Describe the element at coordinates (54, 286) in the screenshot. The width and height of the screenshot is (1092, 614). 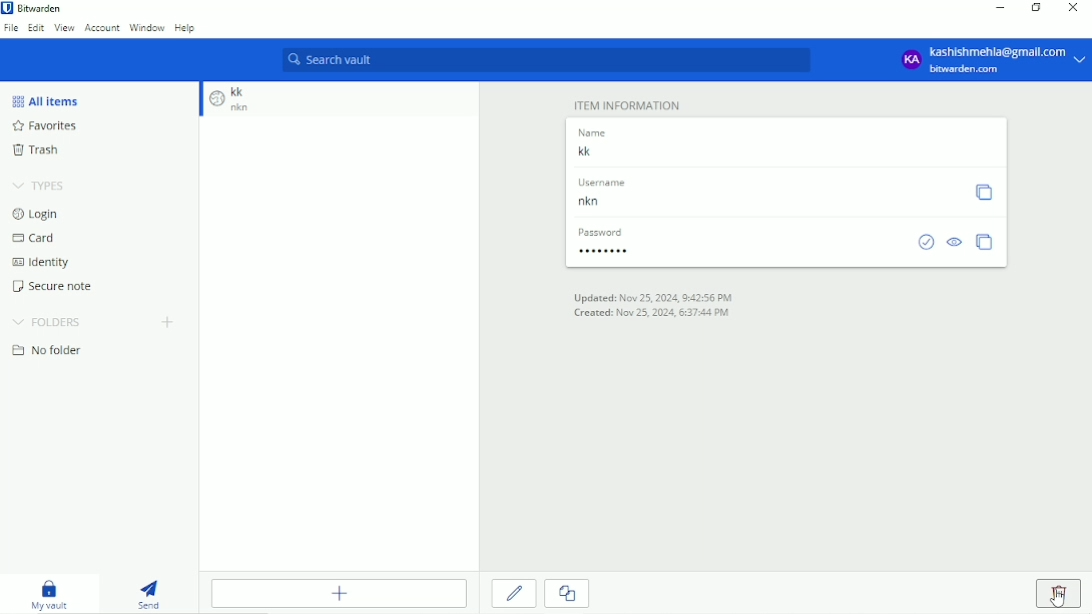
I see `Secure note` at that location.